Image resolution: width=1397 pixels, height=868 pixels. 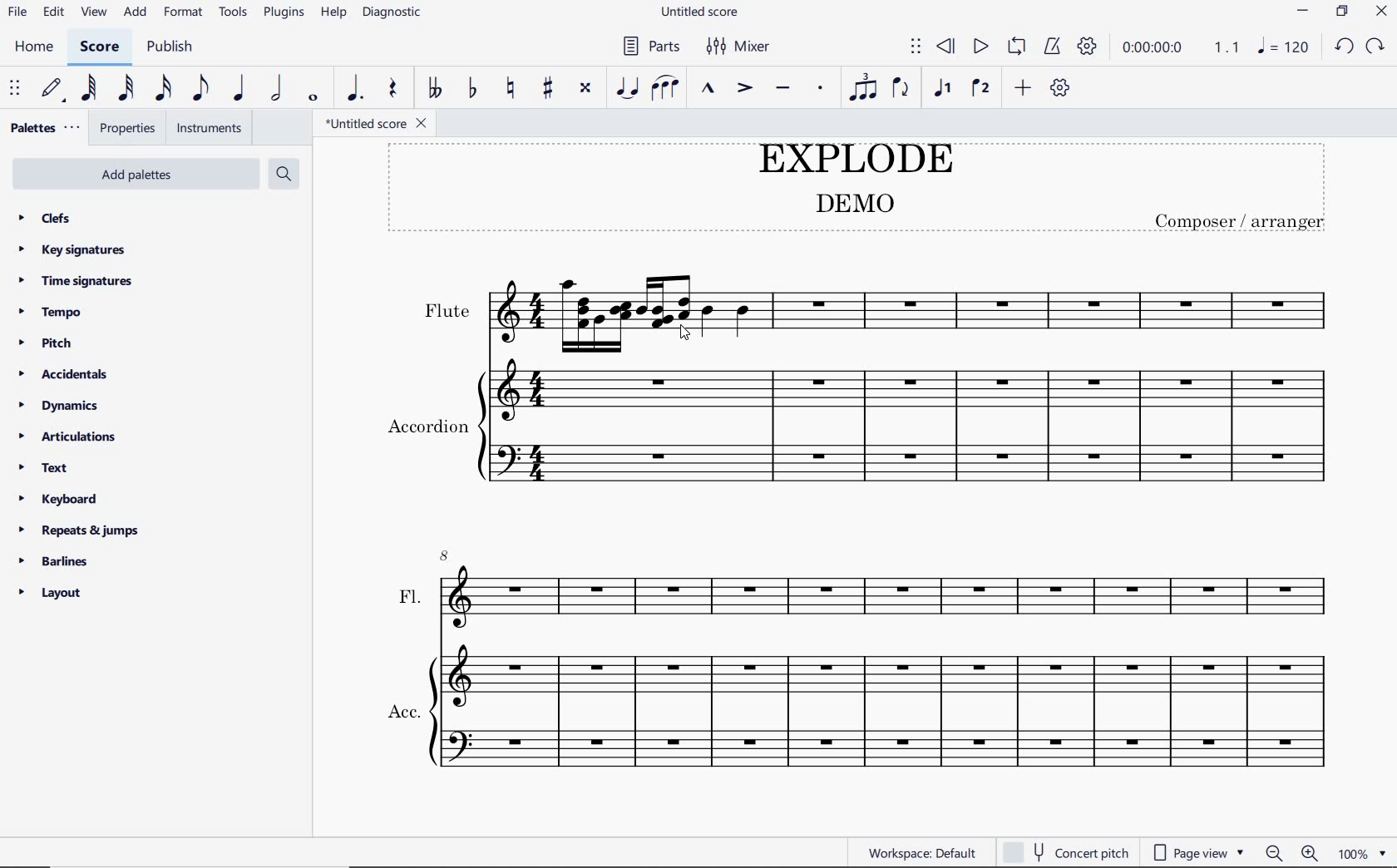 What do you see at coordinates (976, 88) in the screenshot?
I see `voice 2` at bounding box center [976, 88].